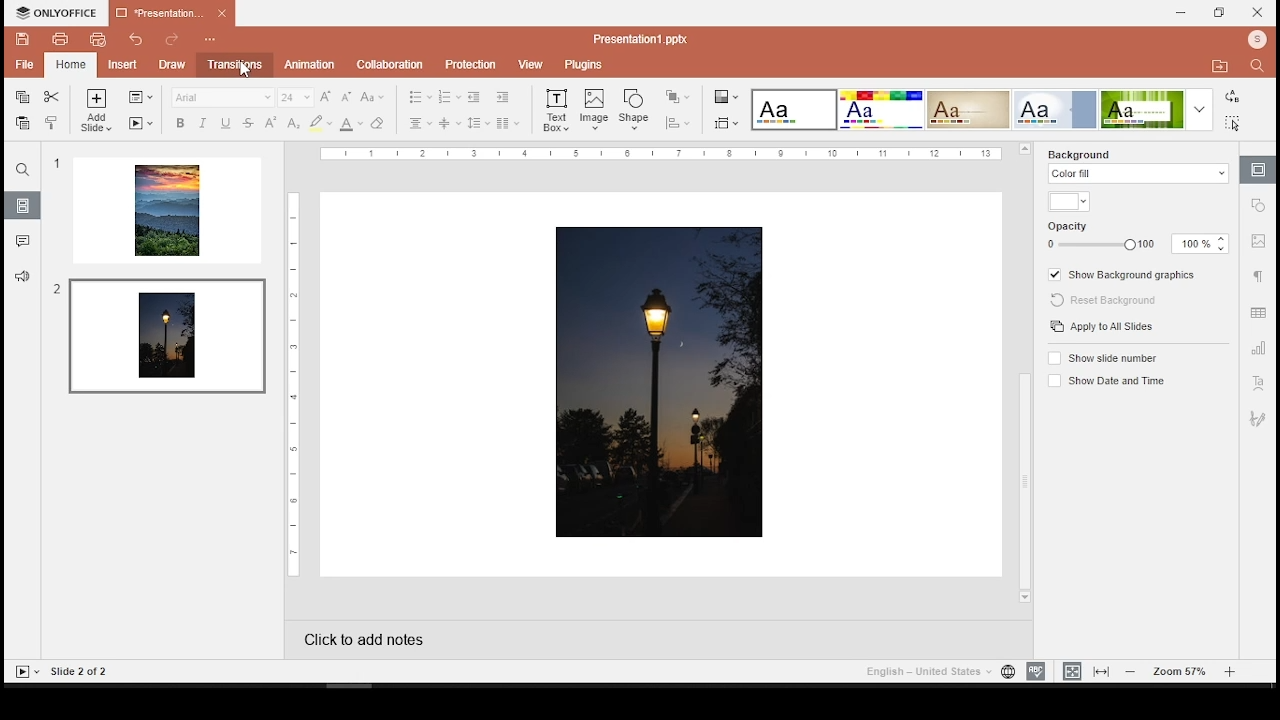  Describe the element at coordinates (1259, 349) in the screenshot. I see `chart settings` at that location.